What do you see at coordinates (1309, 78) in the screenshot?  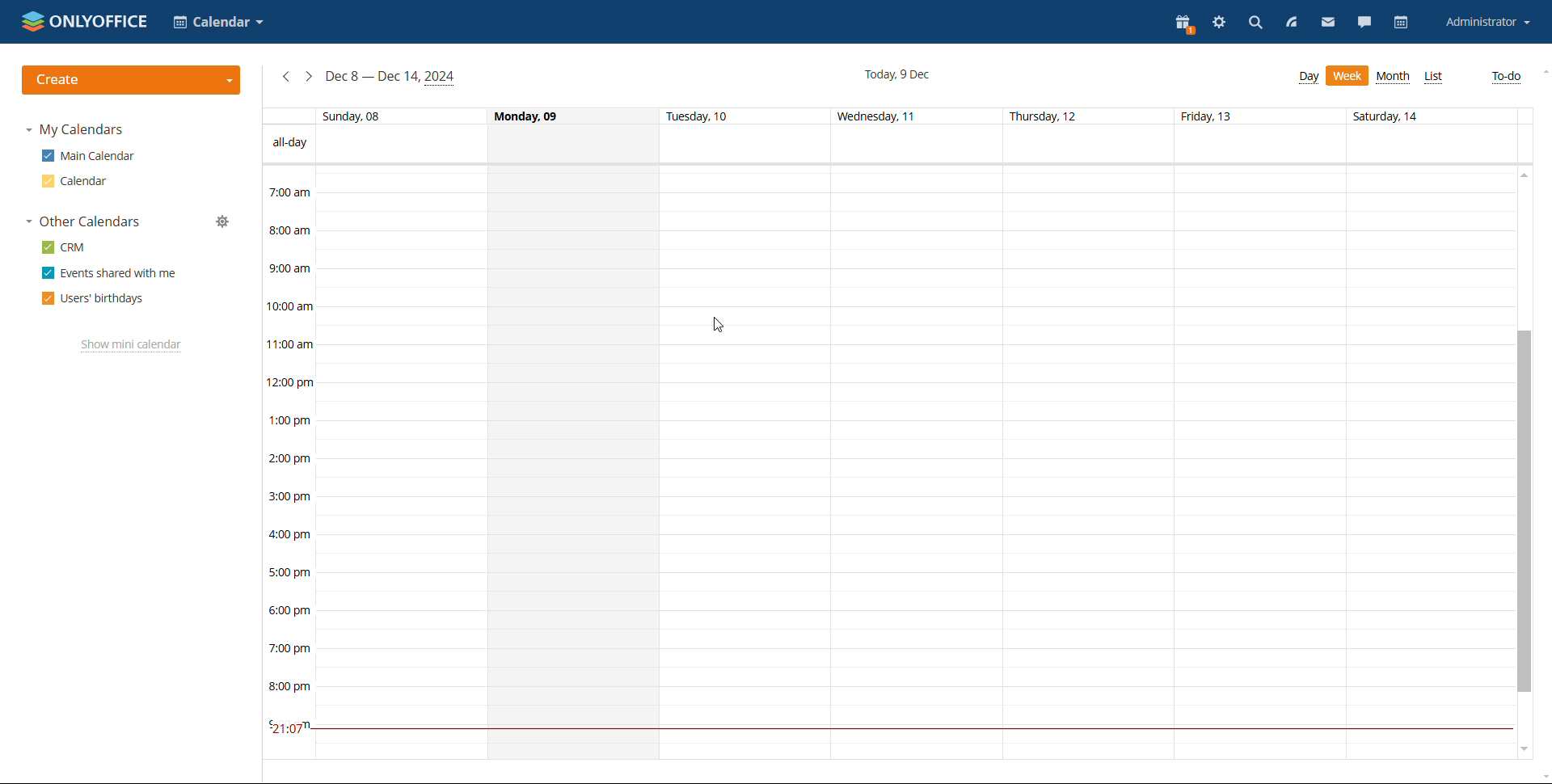 I see `day view` at bounding box center [1309, 78].